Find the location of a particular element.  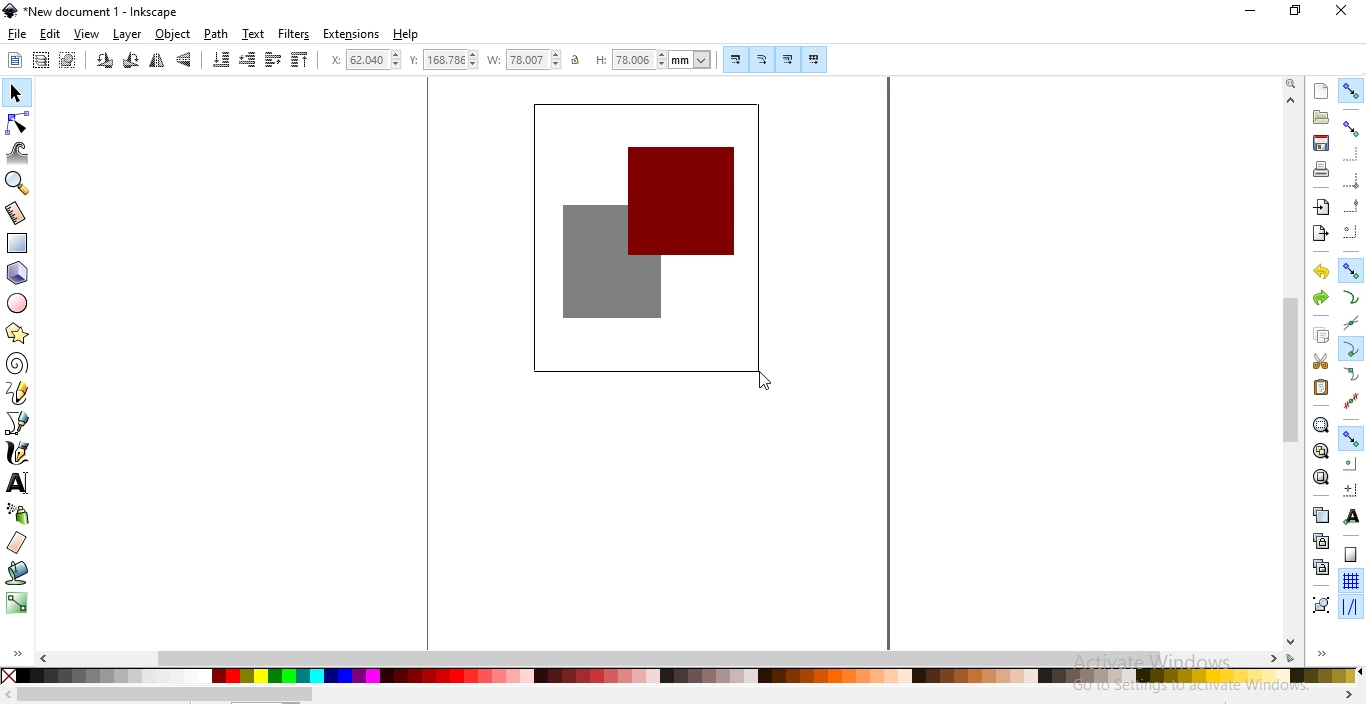

create duplicate is located at coordinates (1319, 514).